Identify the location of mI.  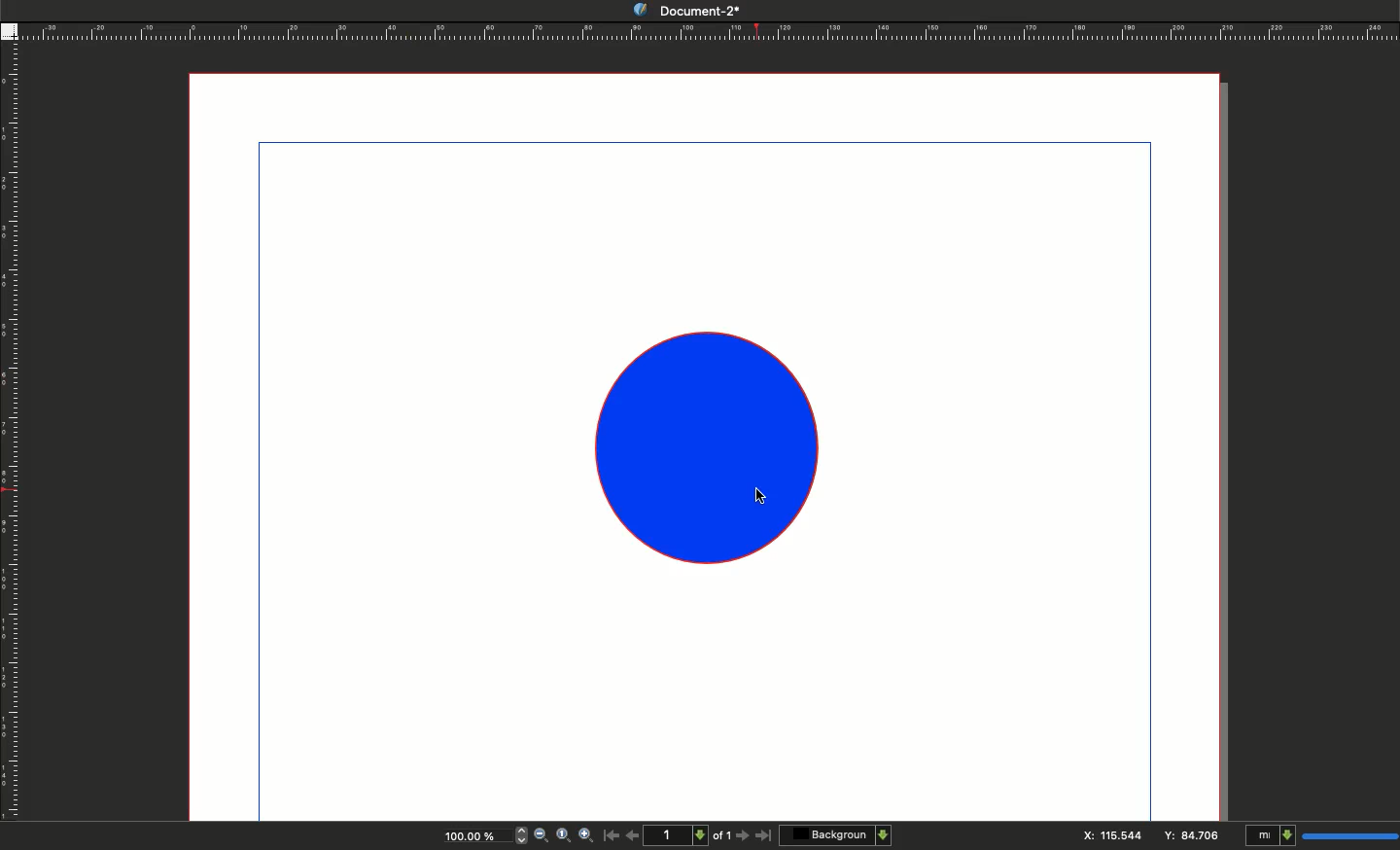
(1318, 836).